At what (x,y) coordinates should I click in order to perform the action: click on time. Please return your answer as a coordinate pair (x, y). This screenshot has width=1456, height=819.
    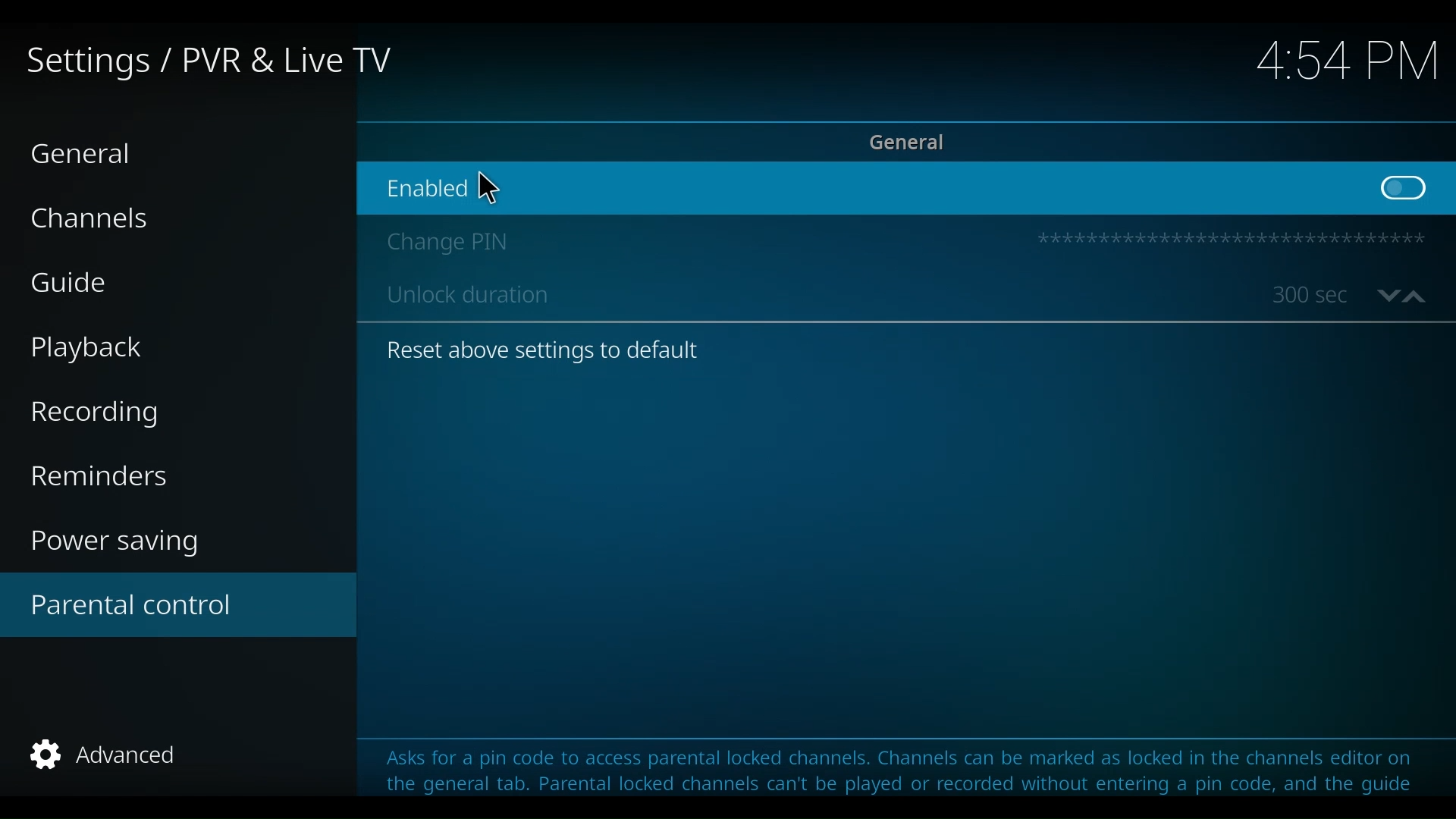
    Looking at the image, I should click on (1340, 62).